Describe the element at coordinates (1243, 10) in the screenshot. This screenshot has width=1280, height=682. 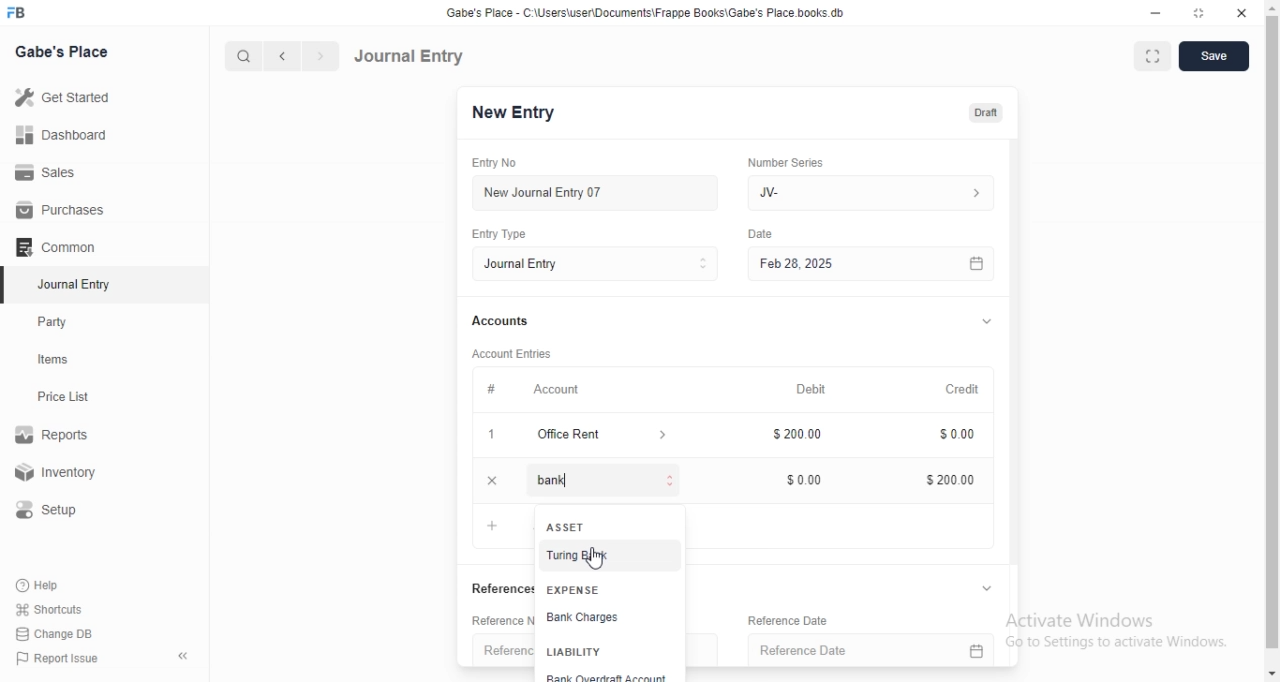
I see `close` at that location.